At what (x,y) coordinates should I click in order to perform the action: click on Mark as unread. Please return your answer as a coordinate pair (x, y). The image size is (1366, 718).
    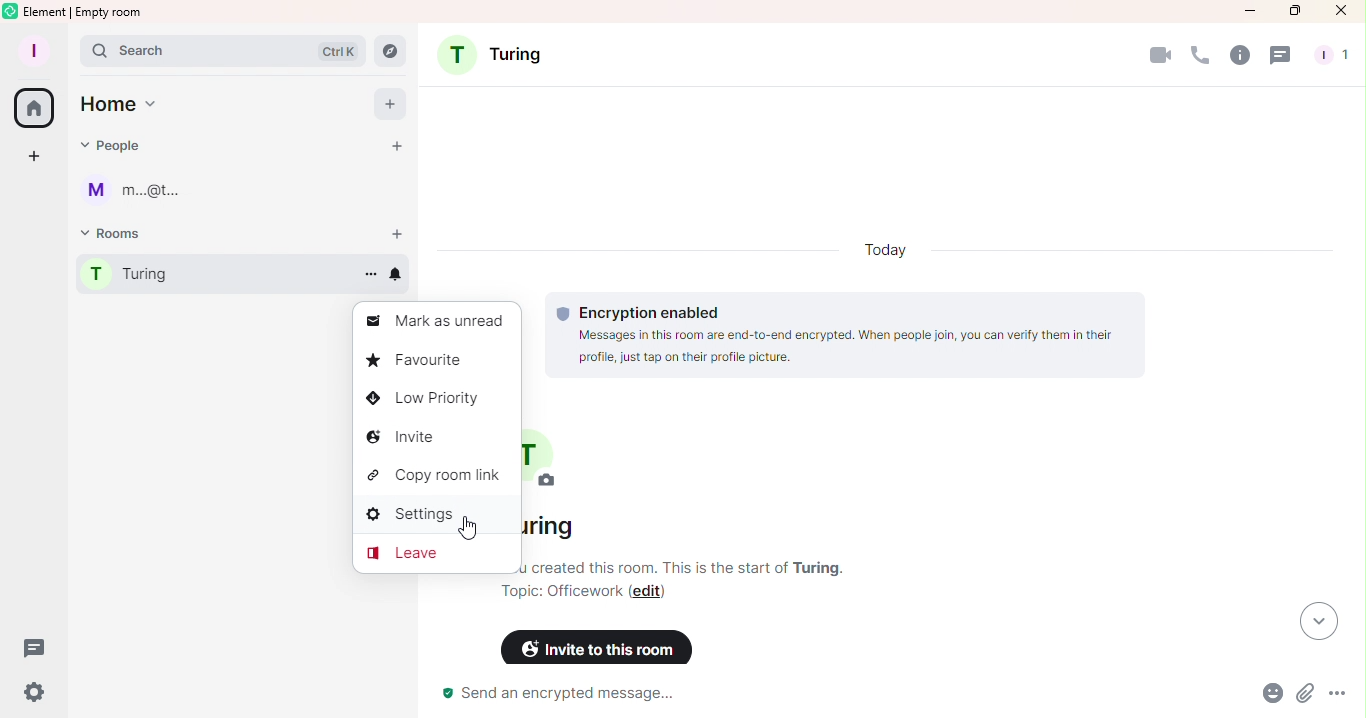
    Looking at the image, I should click on (437, 318).